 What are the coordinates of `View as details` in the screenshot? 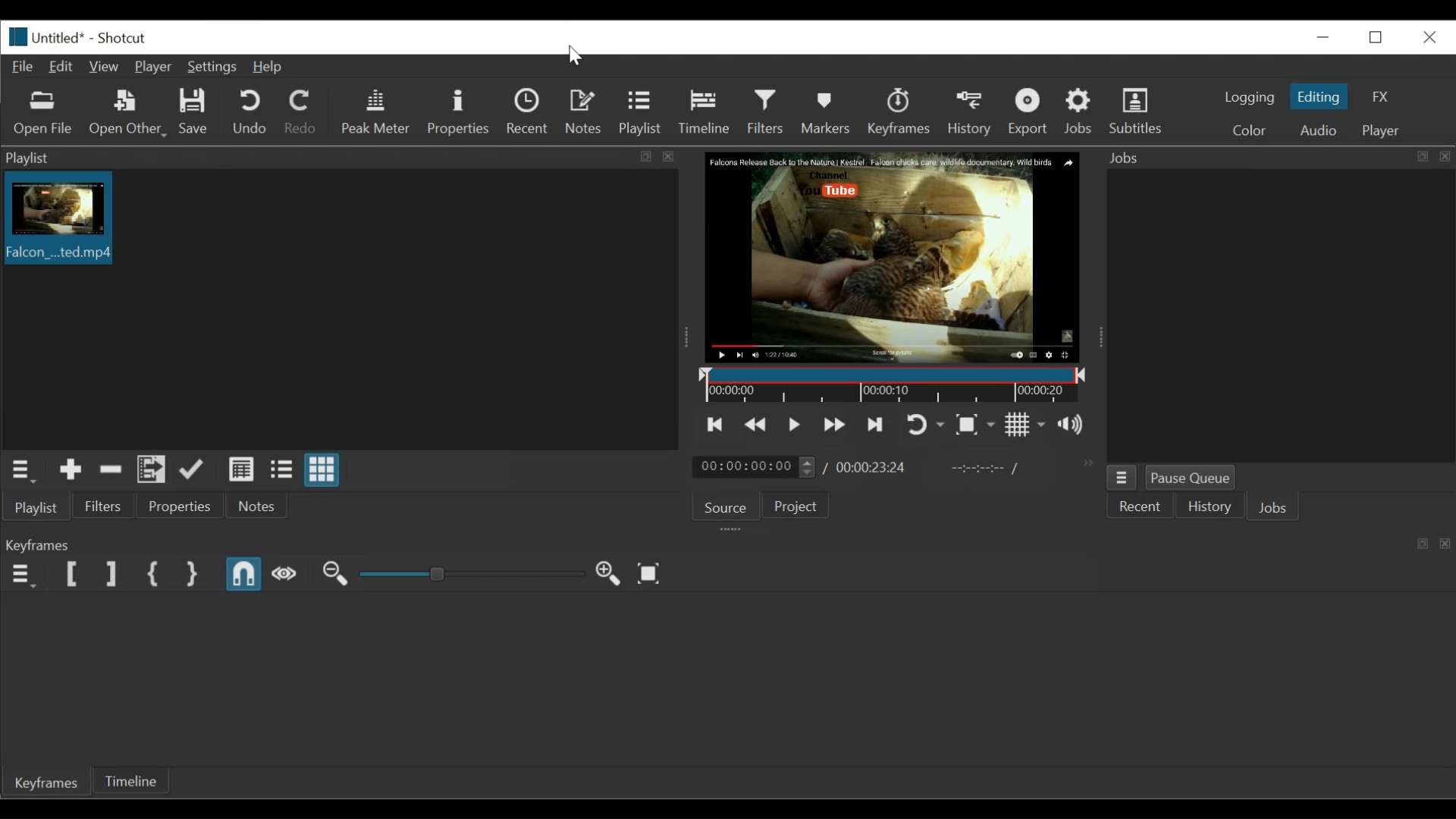 It's located at (240, 469).